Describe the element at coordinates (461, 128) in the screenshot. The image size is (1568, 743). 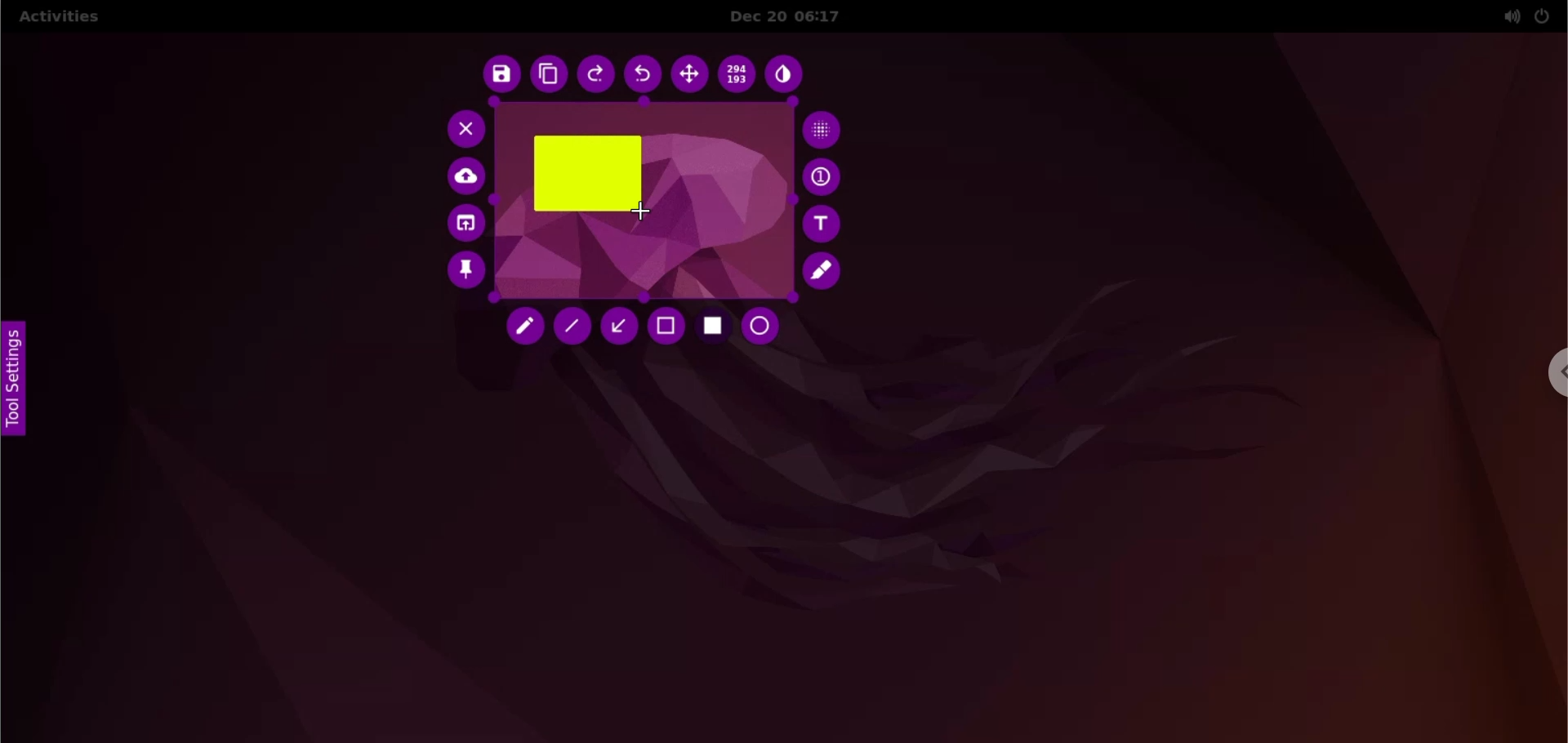
I see `cancel capture` at that location.